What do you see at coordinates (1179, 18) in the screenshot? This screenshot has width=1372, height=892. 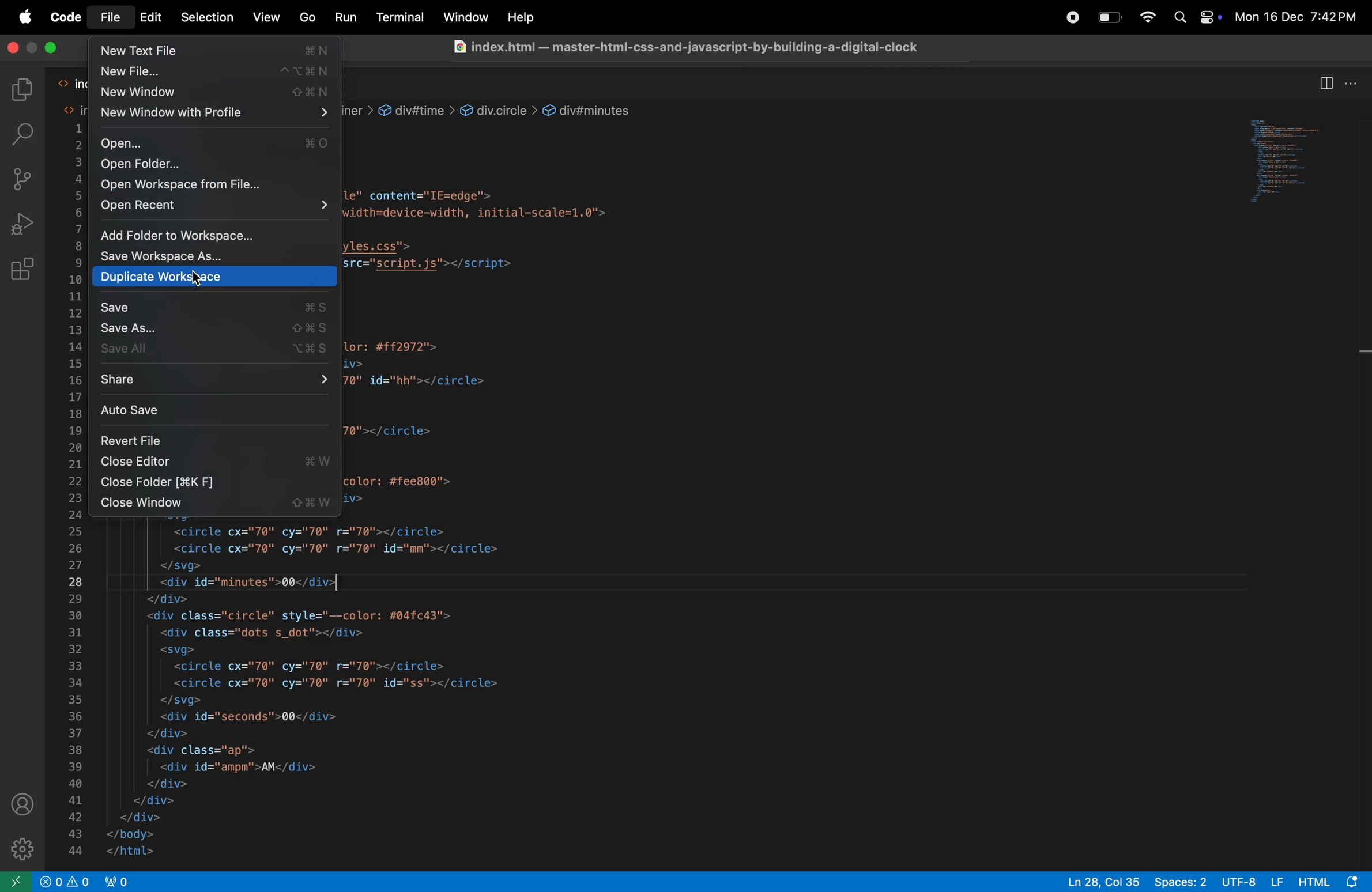 I see `spotlight search` at bounding box center [1179, 18].